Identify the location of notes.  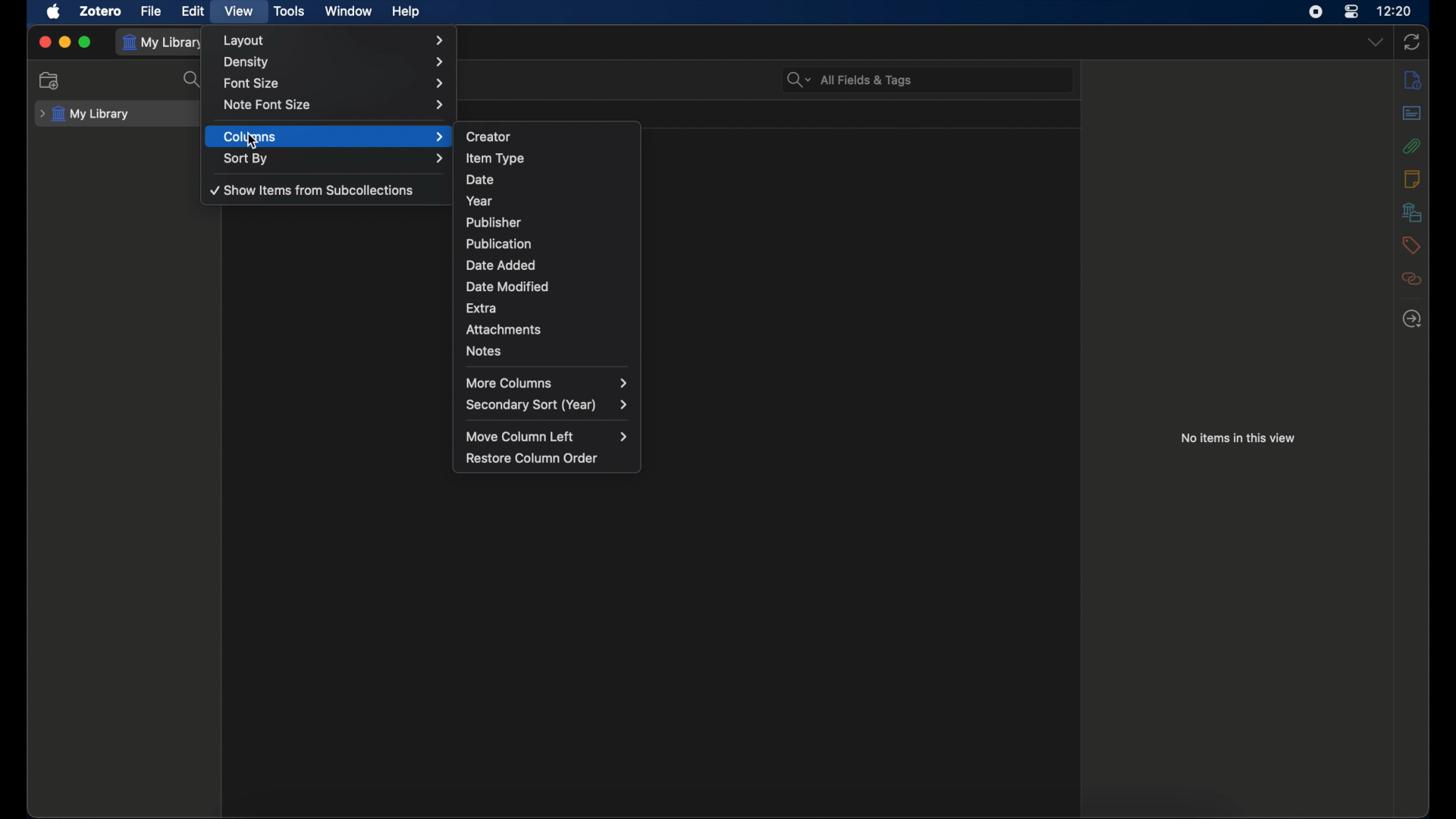
(483, 351).